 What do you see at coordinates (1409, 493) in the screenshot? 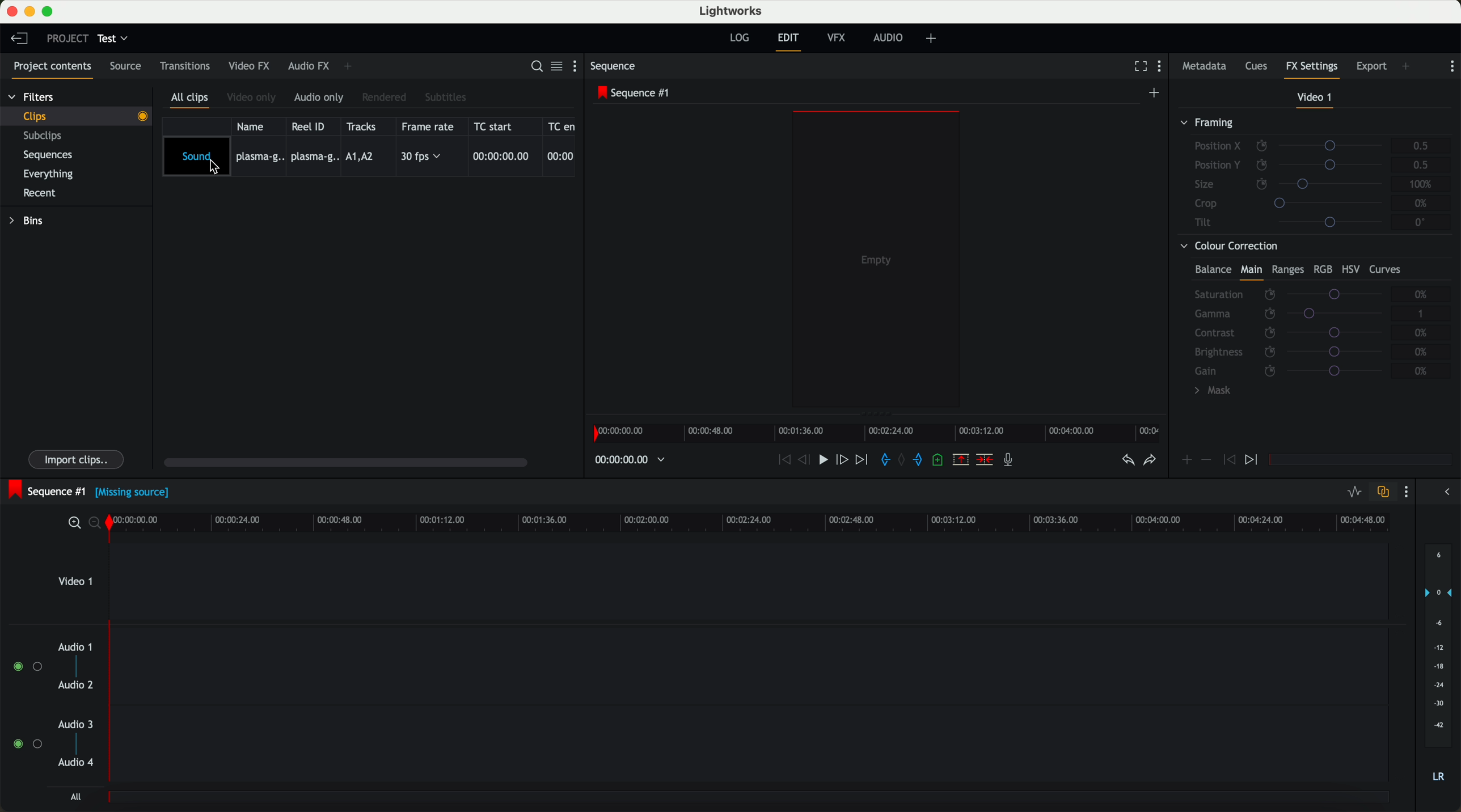
I see `show settings menu` at bounding box center [1409, 493].